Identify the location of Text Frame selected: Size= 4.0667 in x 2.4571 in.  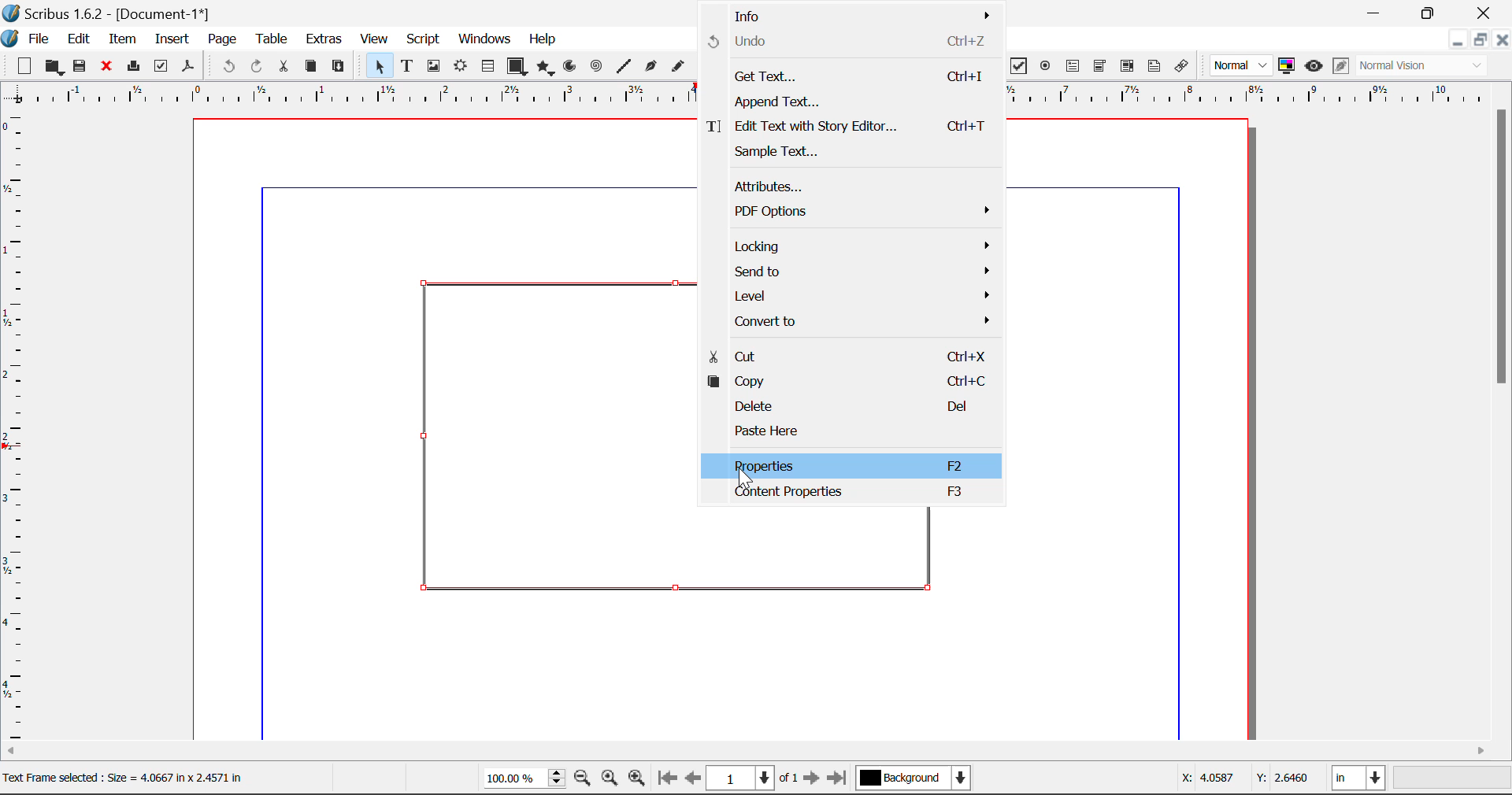
(123, 776).